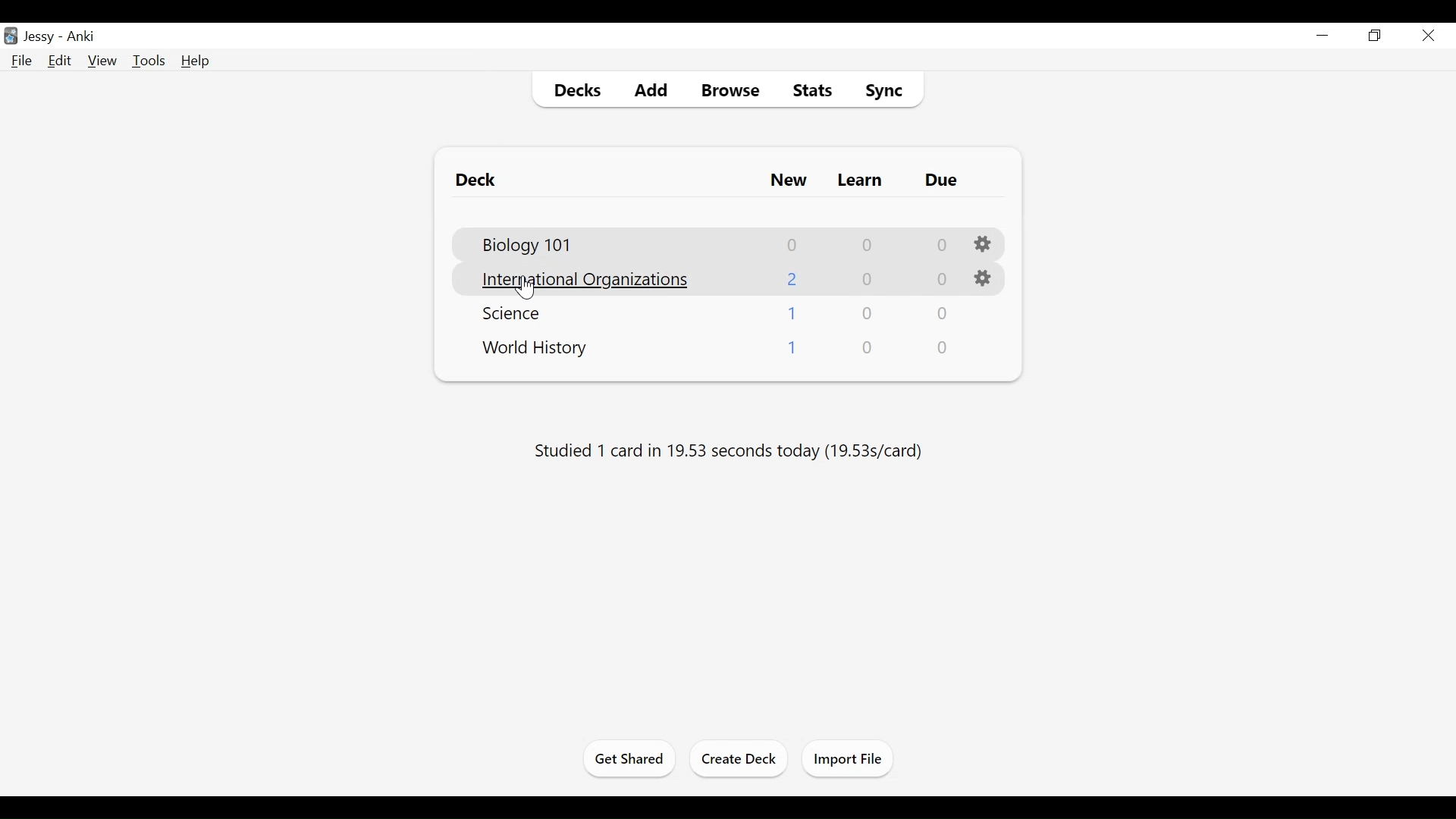  I want to click on Add, so click(649, 91).